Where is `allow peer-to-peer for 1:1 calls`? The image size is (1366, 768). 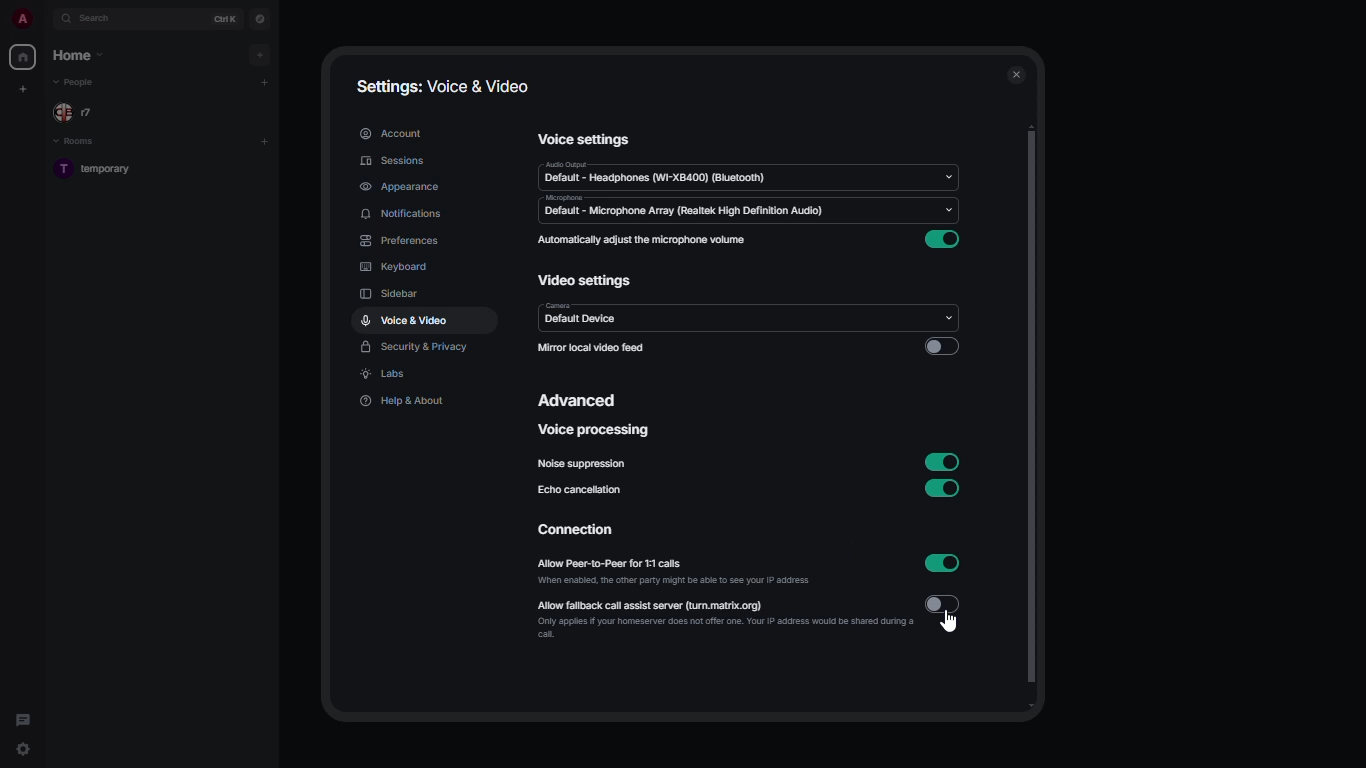 allow peer-to-peer for 1:1 calls is located at coordinates (674, 572).